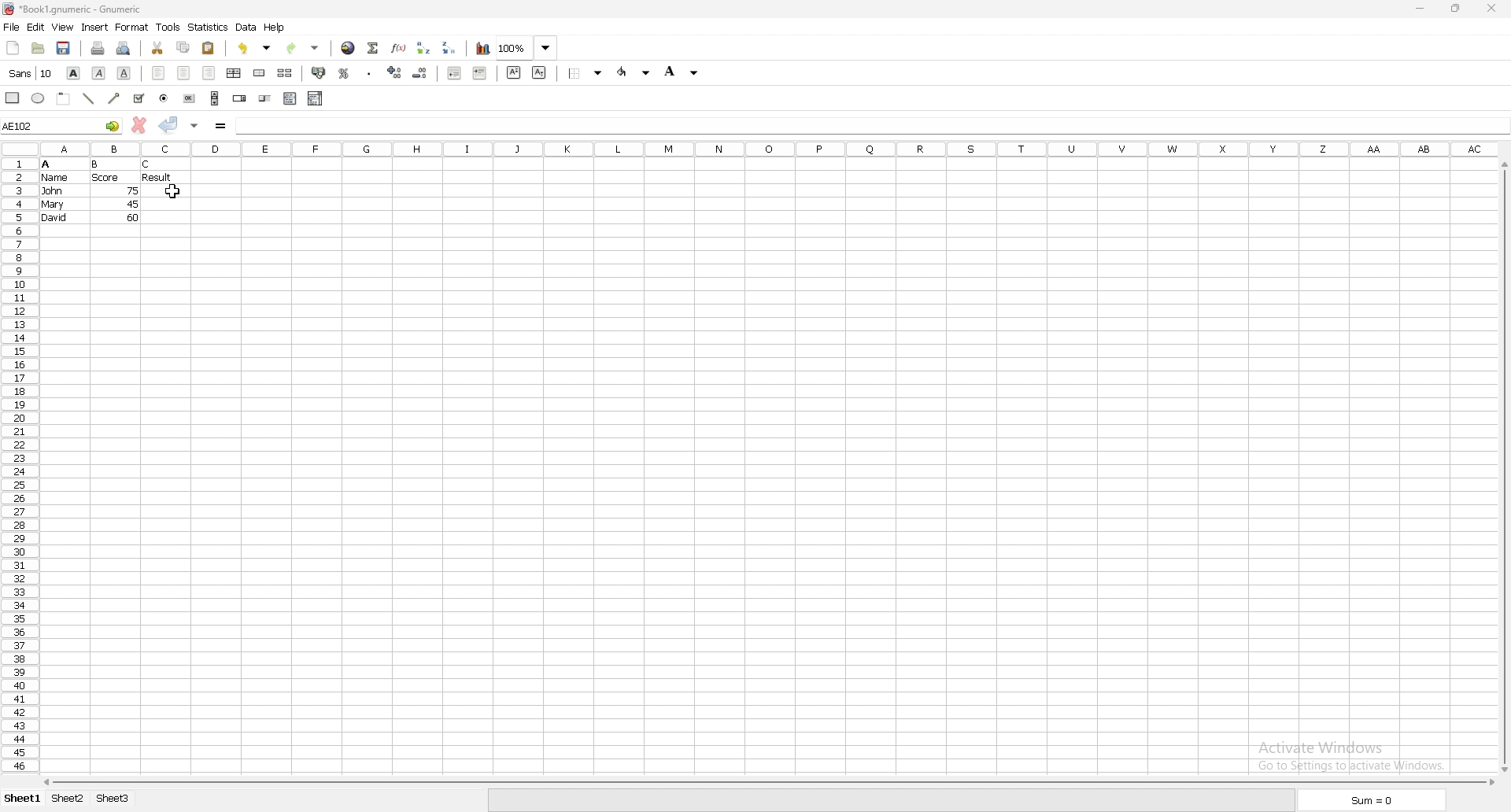  What do you see at coordinates (116, 800) in the screenshot?
I see `sheet 3` at bounding box center [116, 800].